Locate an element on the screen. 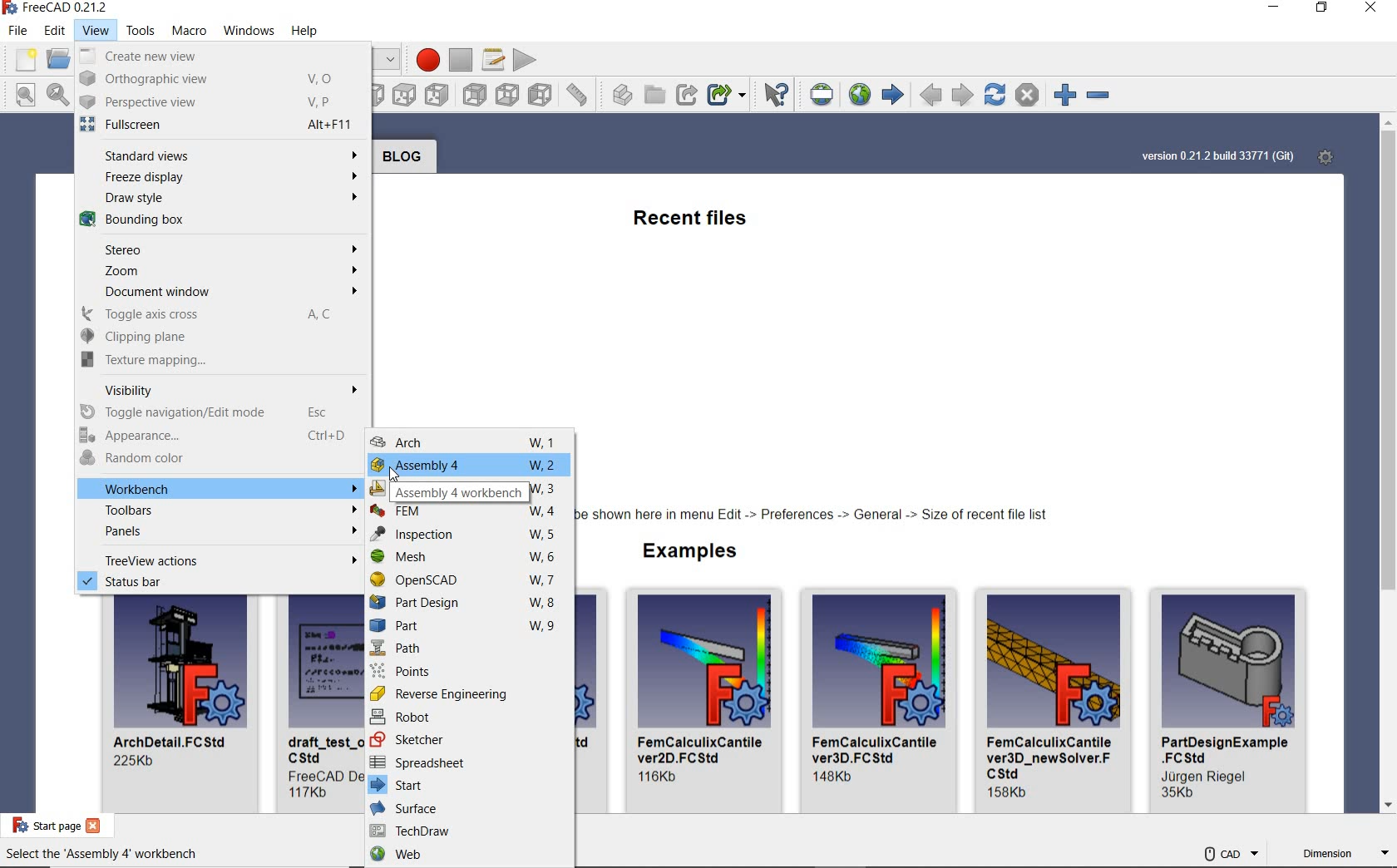 The height and width of the screenshot is (868, 1397). perspective view is located at coordinates (220, 104).